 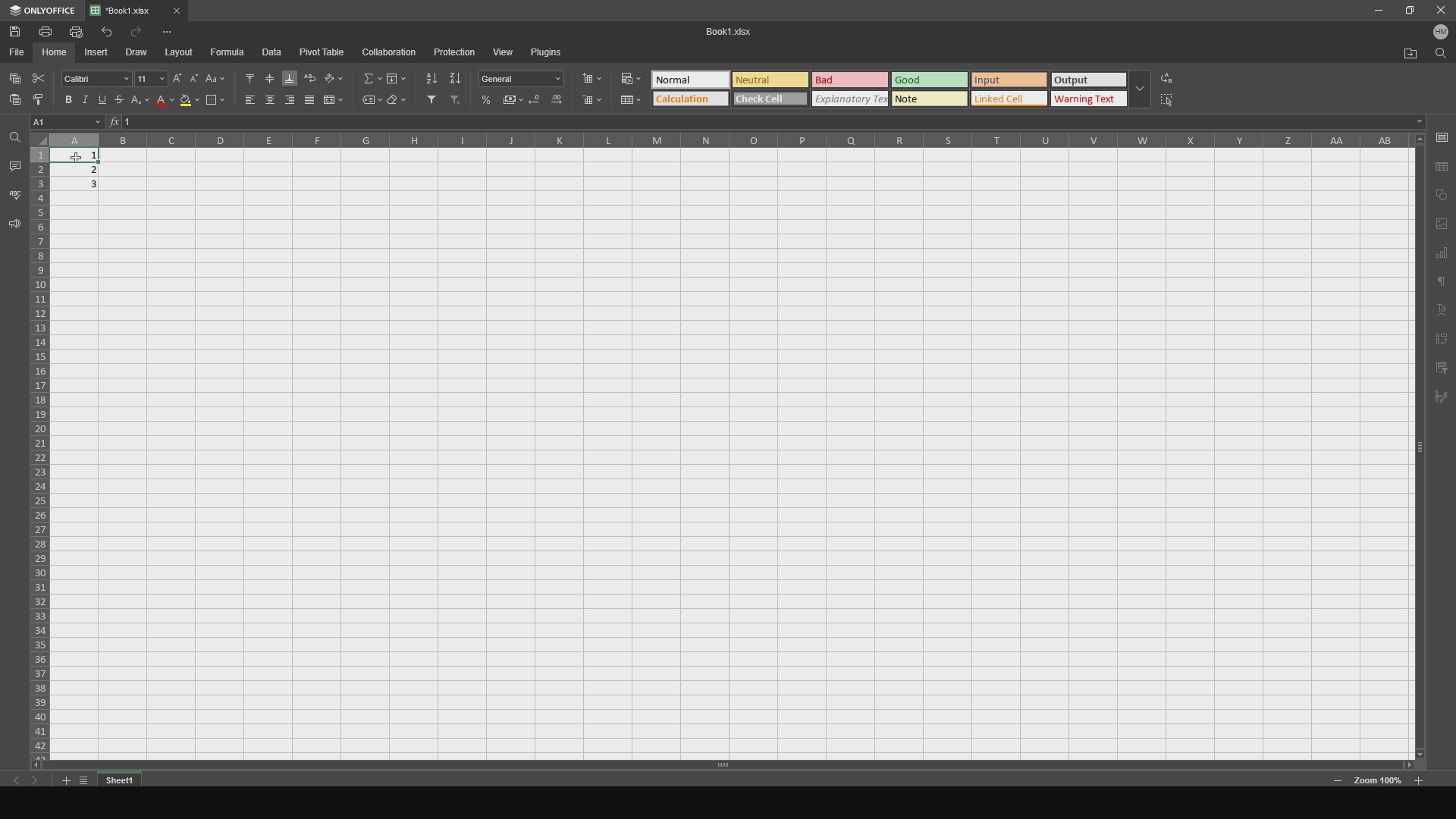 I want to click on book1, so click(x=724, y=31).